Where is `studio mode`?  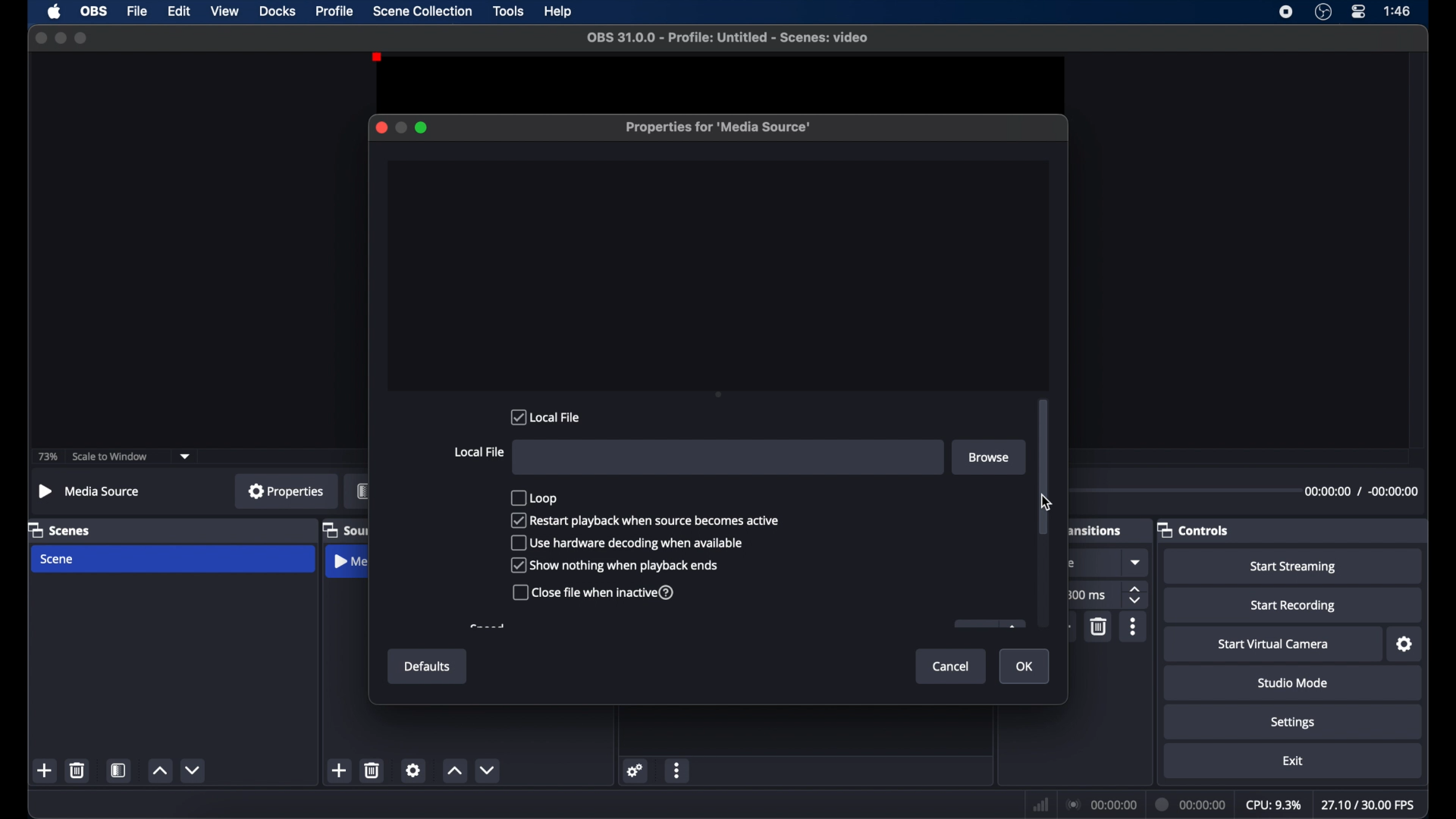 studio mode is located at coordinates (1294, 682).